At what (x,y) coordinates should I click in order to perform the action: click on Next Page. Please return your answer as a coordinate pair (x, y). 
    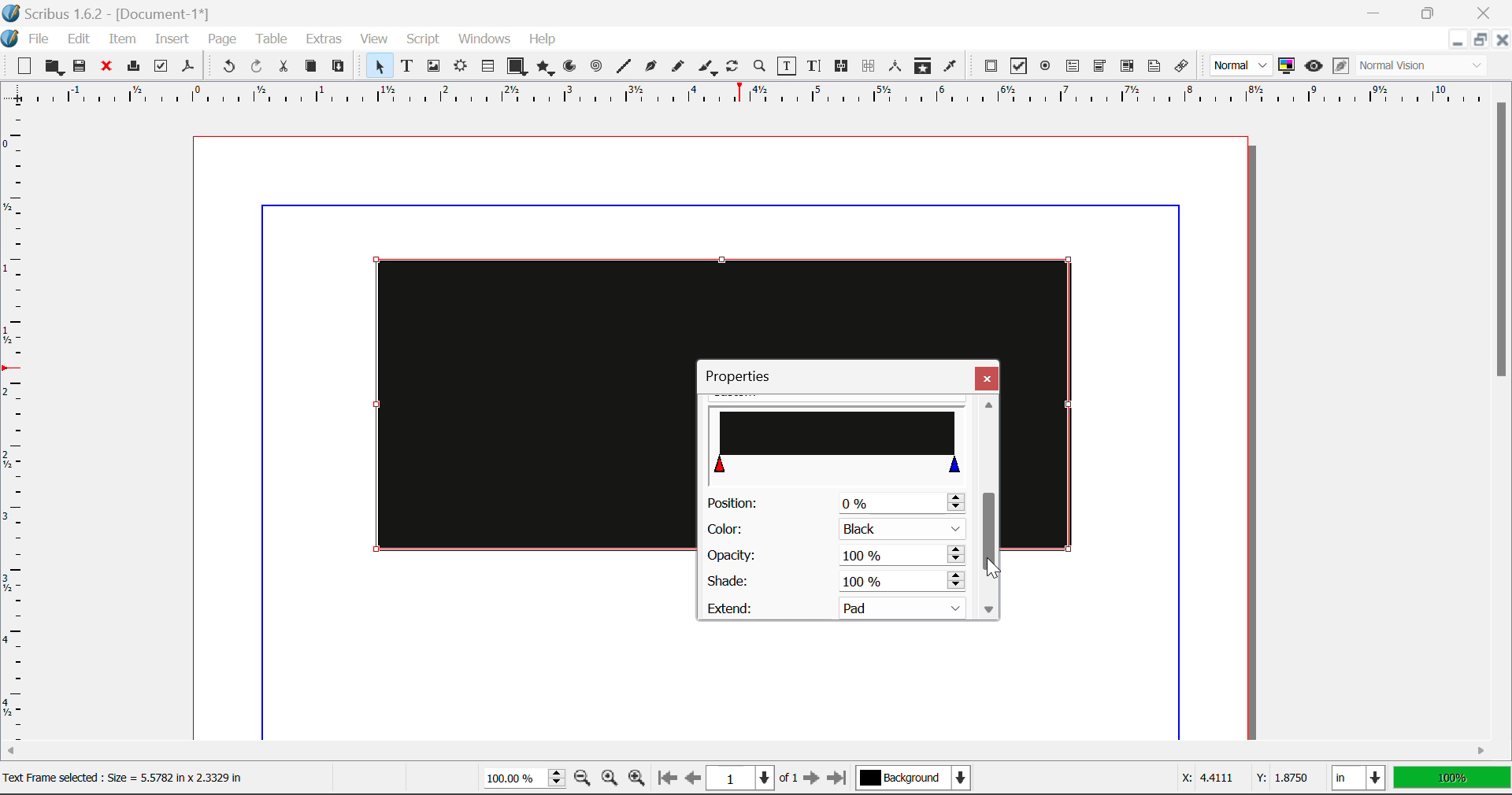
    Looking at the image, I should click on (811, 779).